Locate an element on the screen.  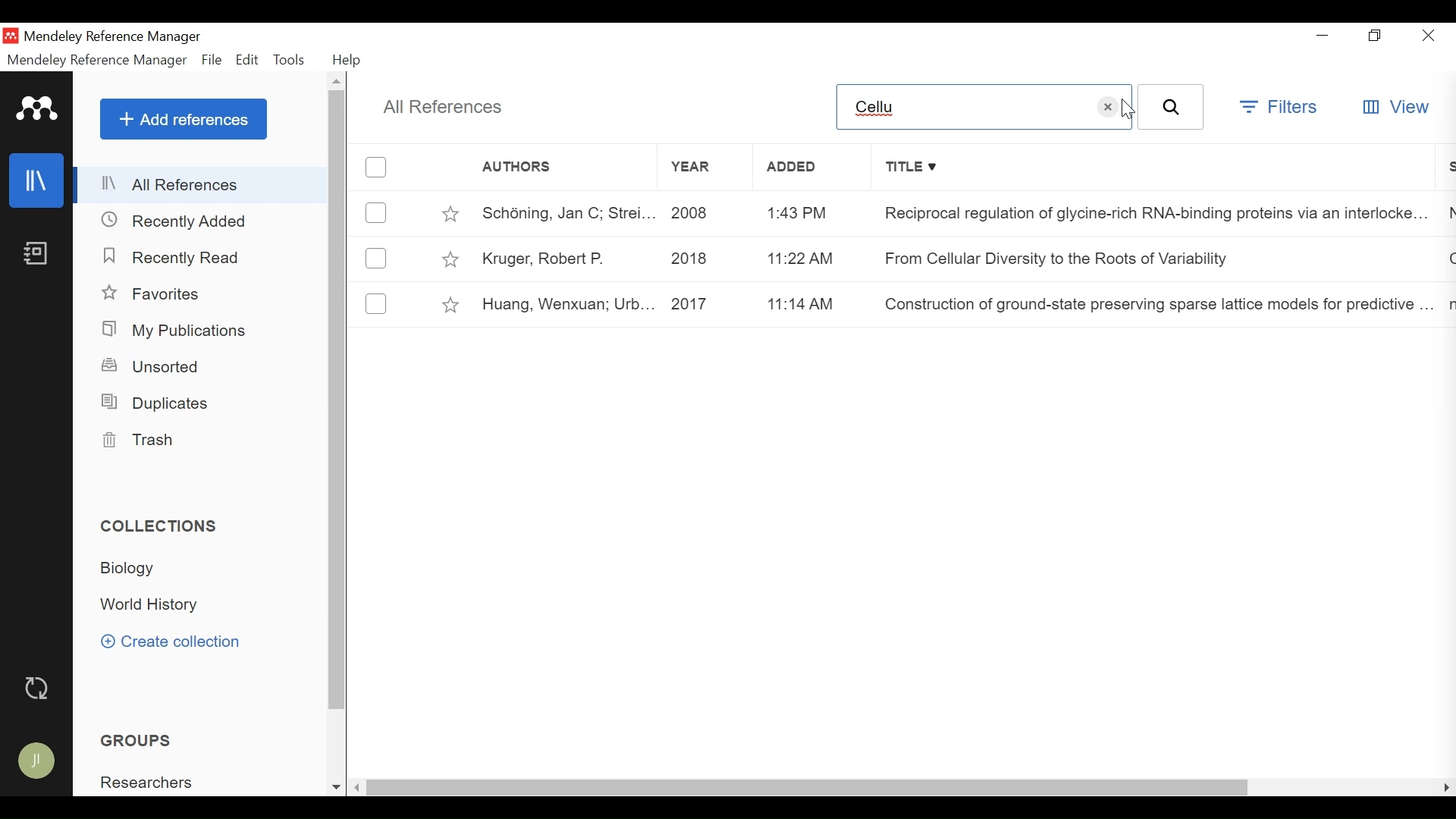
Reciprocal regulation of glycine-rich RNA-binding proteins via an interlocke. is located at coordinates (1145, 214).